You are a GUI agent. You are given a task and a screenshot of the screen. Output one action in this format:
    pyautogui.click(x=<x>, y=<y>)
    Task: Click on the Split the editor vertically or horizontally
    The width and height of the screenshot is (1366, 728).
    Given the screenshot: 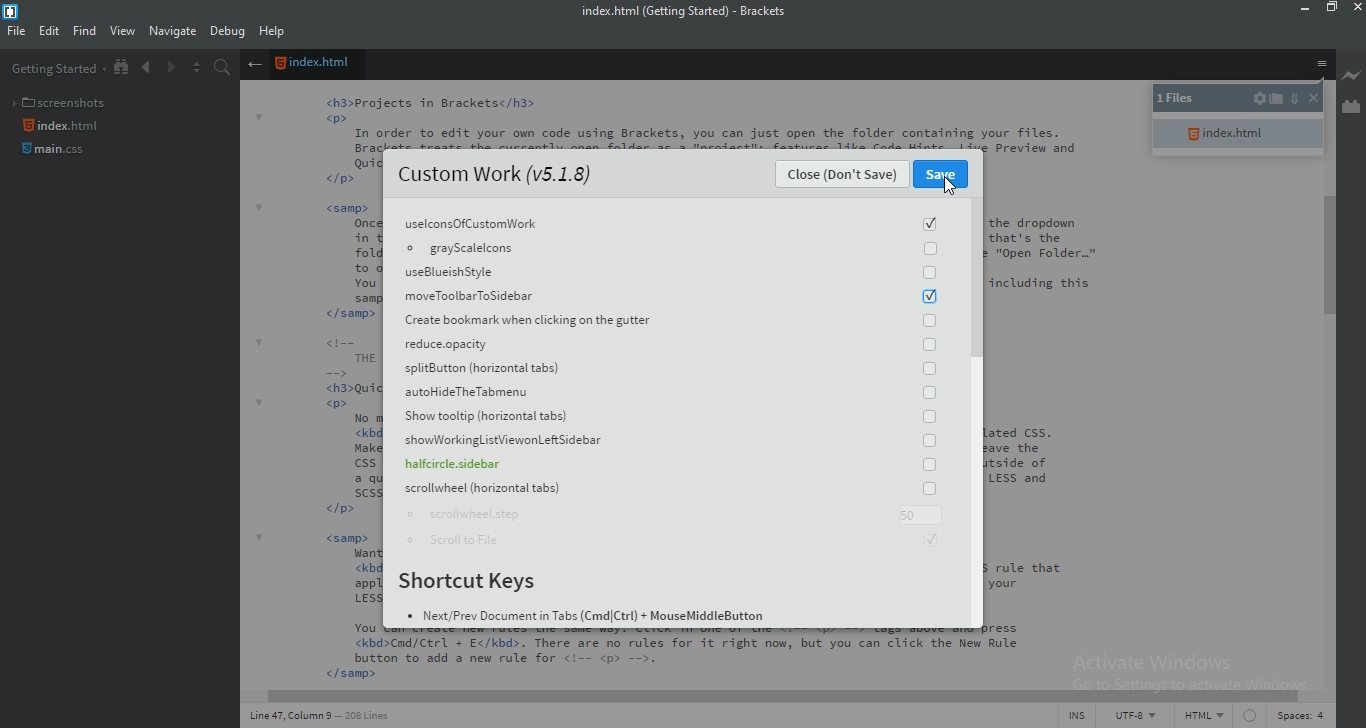 What is the action you would take?
    pyautogui.click(x=195, y=68)
    